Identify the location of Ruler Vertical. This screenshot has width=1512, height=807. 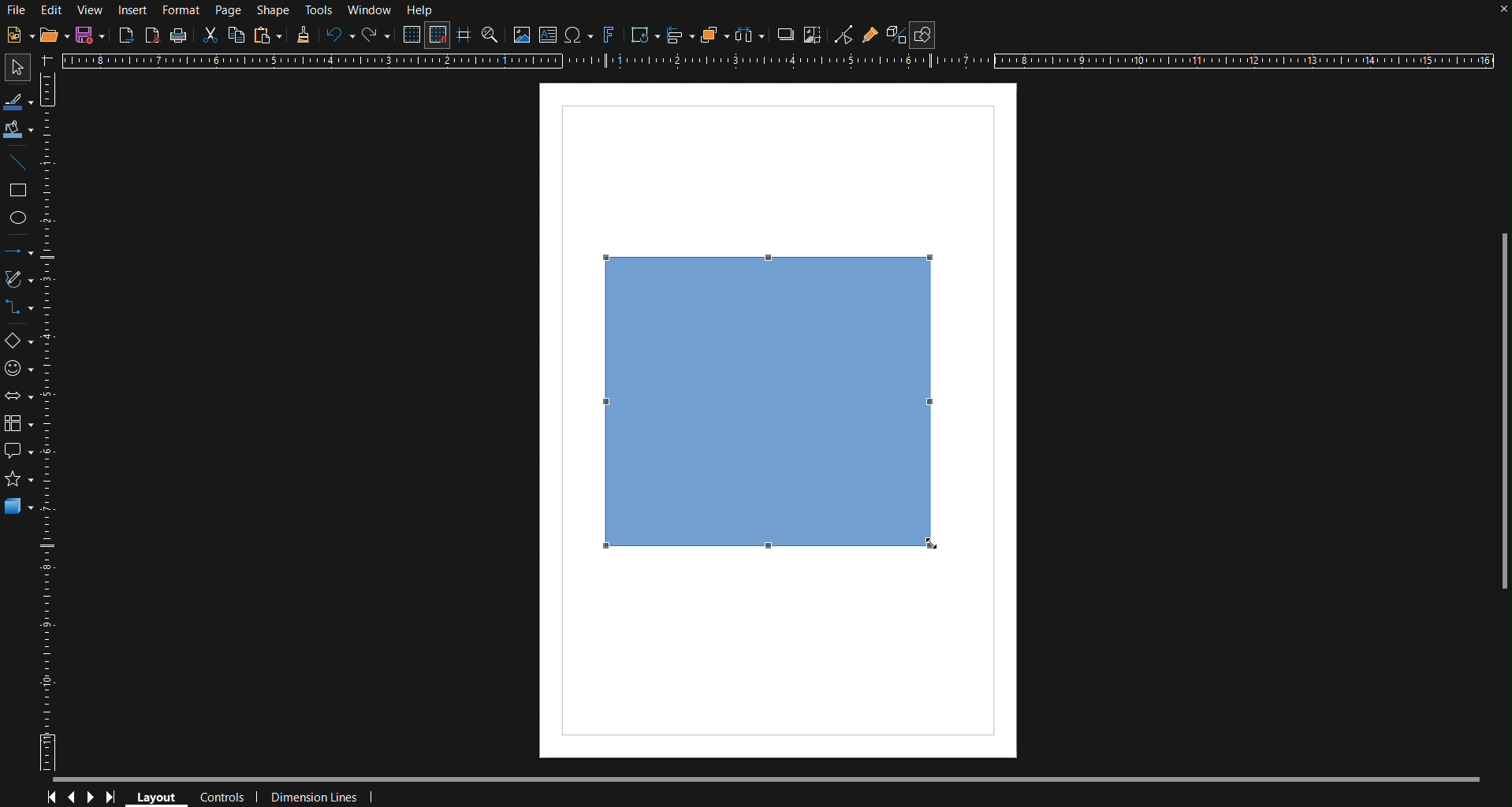
(50, 420).